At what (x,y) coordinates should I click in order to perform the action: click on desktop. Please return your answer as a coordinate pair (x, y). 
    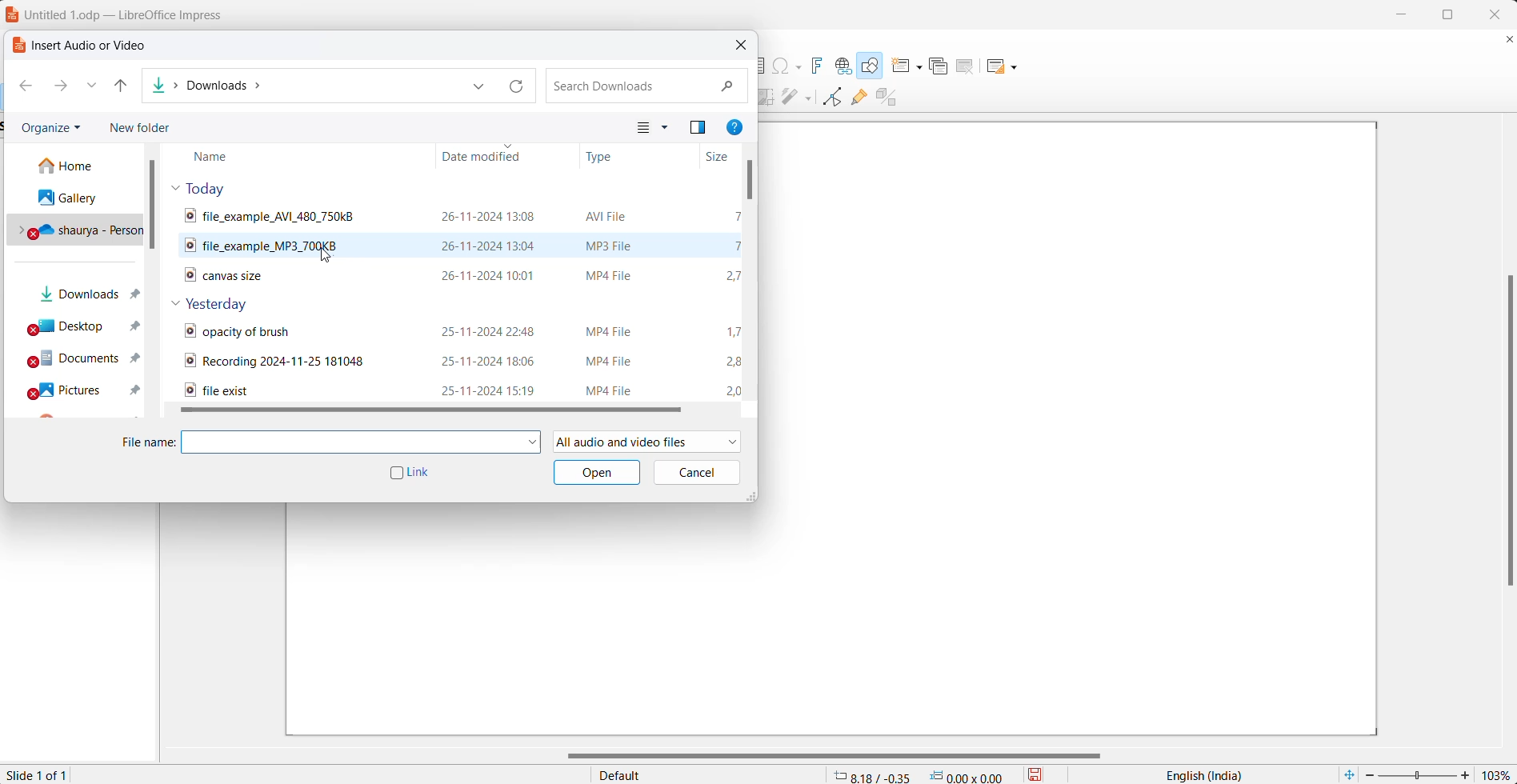
    Looking at the image, I should click on (86, 326).